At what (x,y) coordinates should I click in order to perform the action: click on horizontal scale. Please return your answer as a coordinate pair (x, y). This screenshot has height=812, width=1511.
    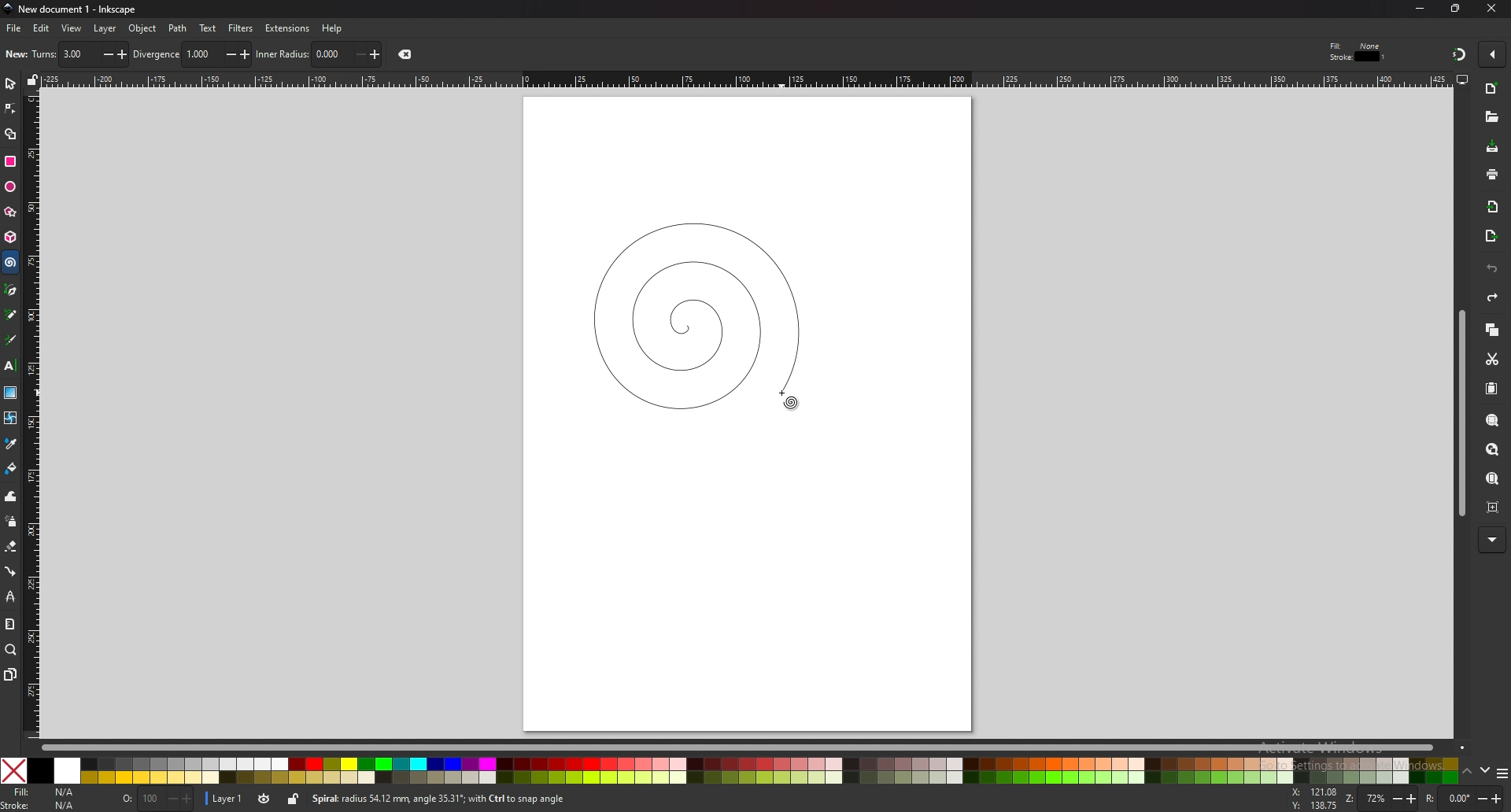
    Looking at the image, I should click on (744, 79).